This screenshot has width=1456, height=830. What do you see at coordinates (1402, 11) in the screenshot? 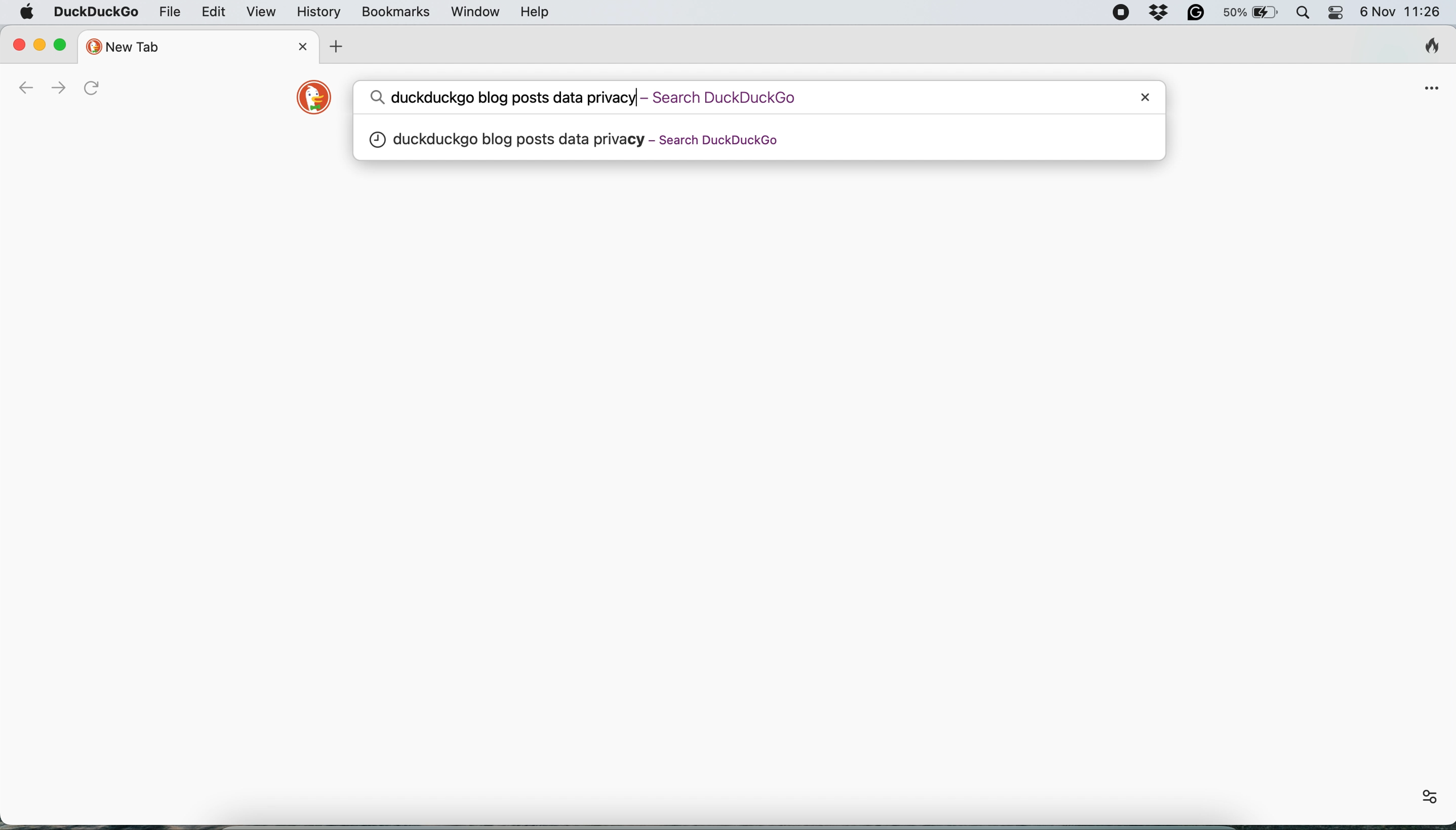
I see `6 Nov 11:26` at bounding box center [1402, 11].